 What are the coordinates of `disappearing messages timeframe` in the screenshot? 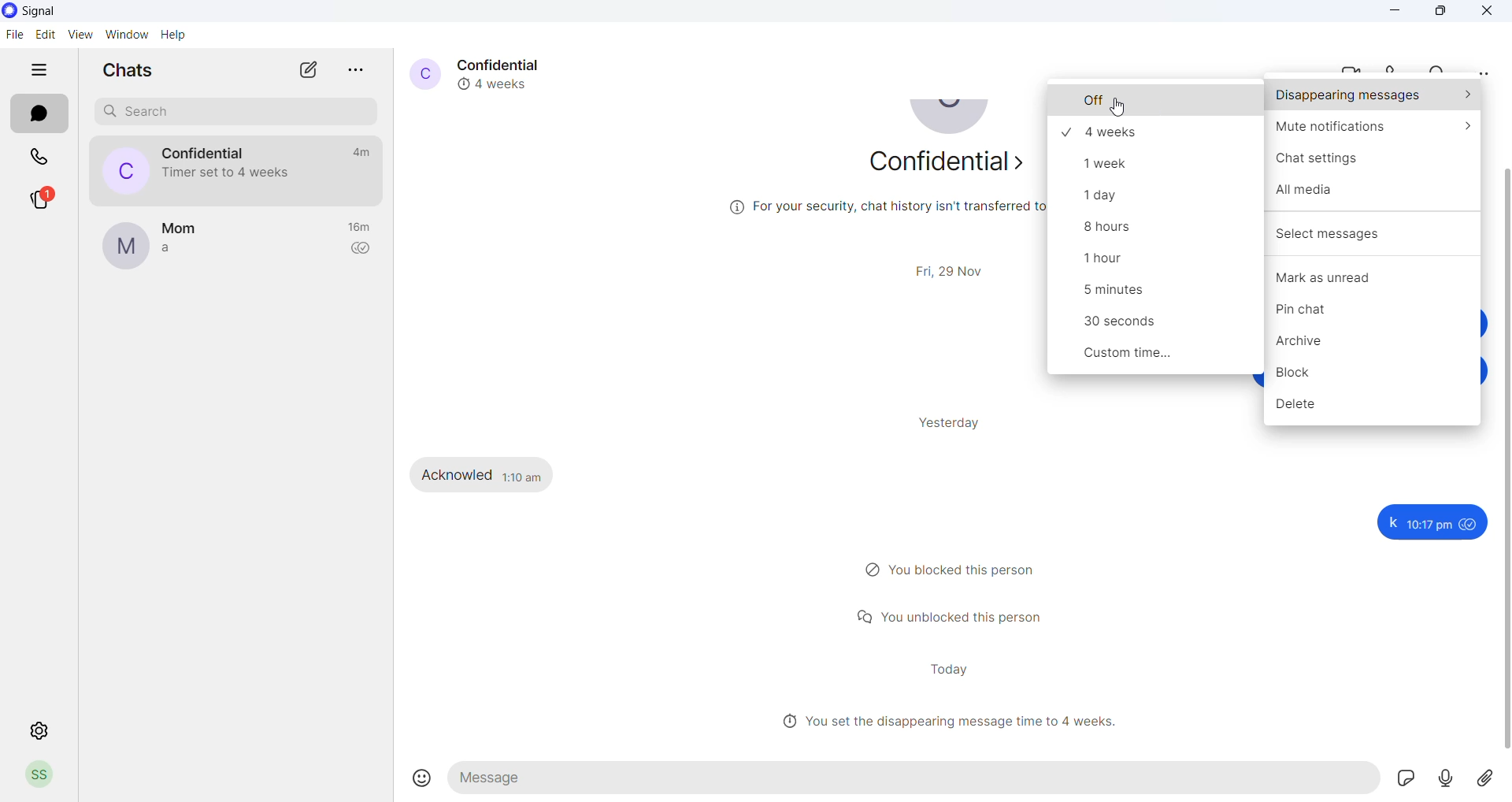 It's located at (1154, 163).